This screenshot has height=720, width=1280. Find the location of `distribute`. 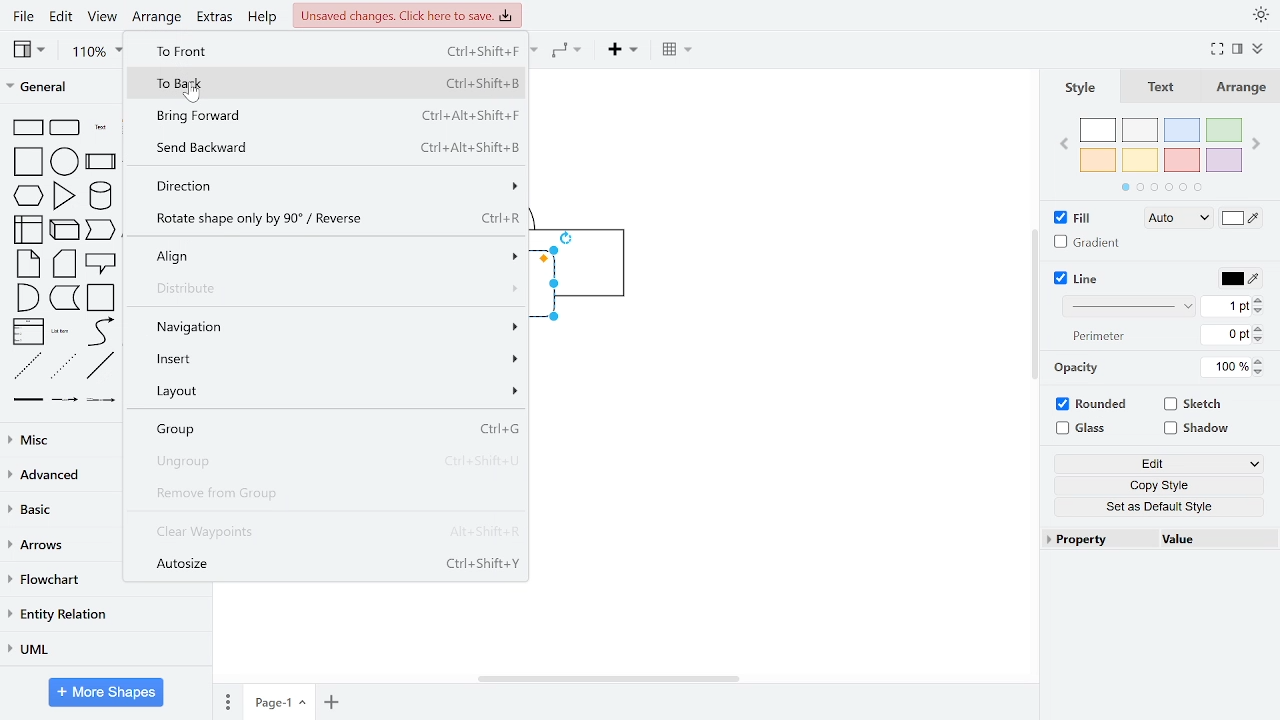

distribute is located at coordinates (334, 290).